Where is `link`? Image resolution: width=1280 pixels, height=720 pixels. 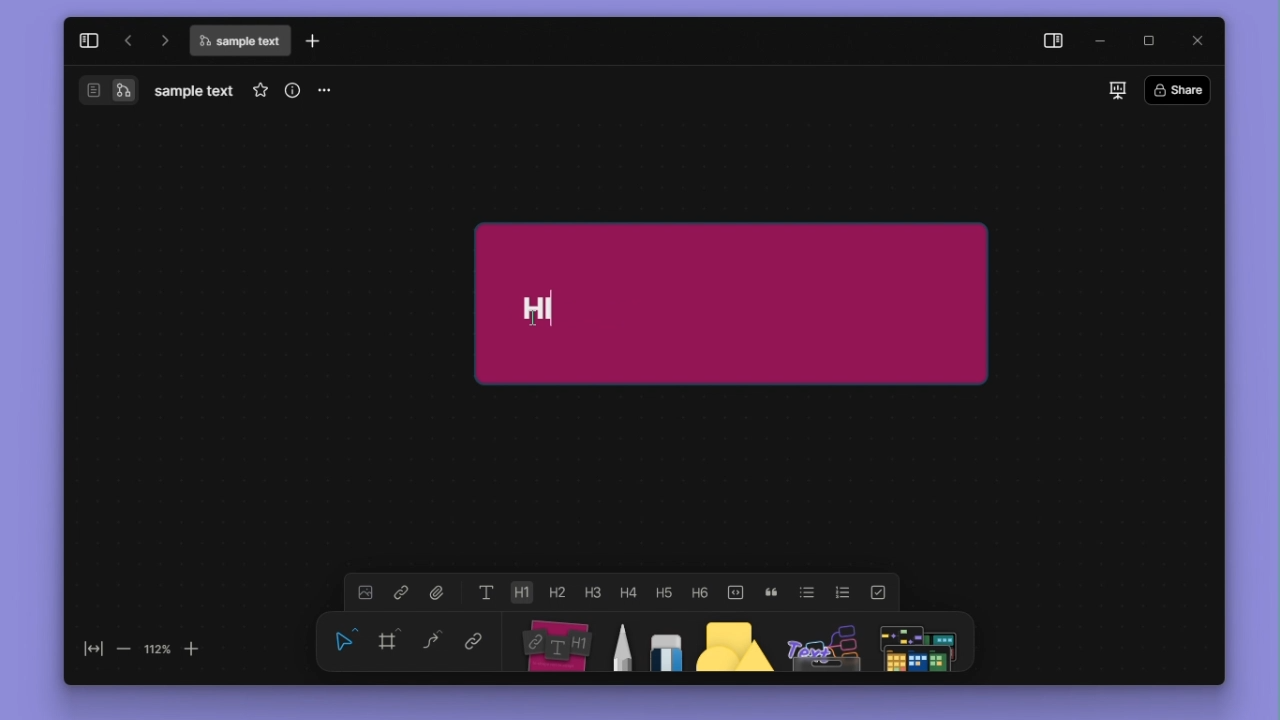
link is located at coordinates (401, 592).